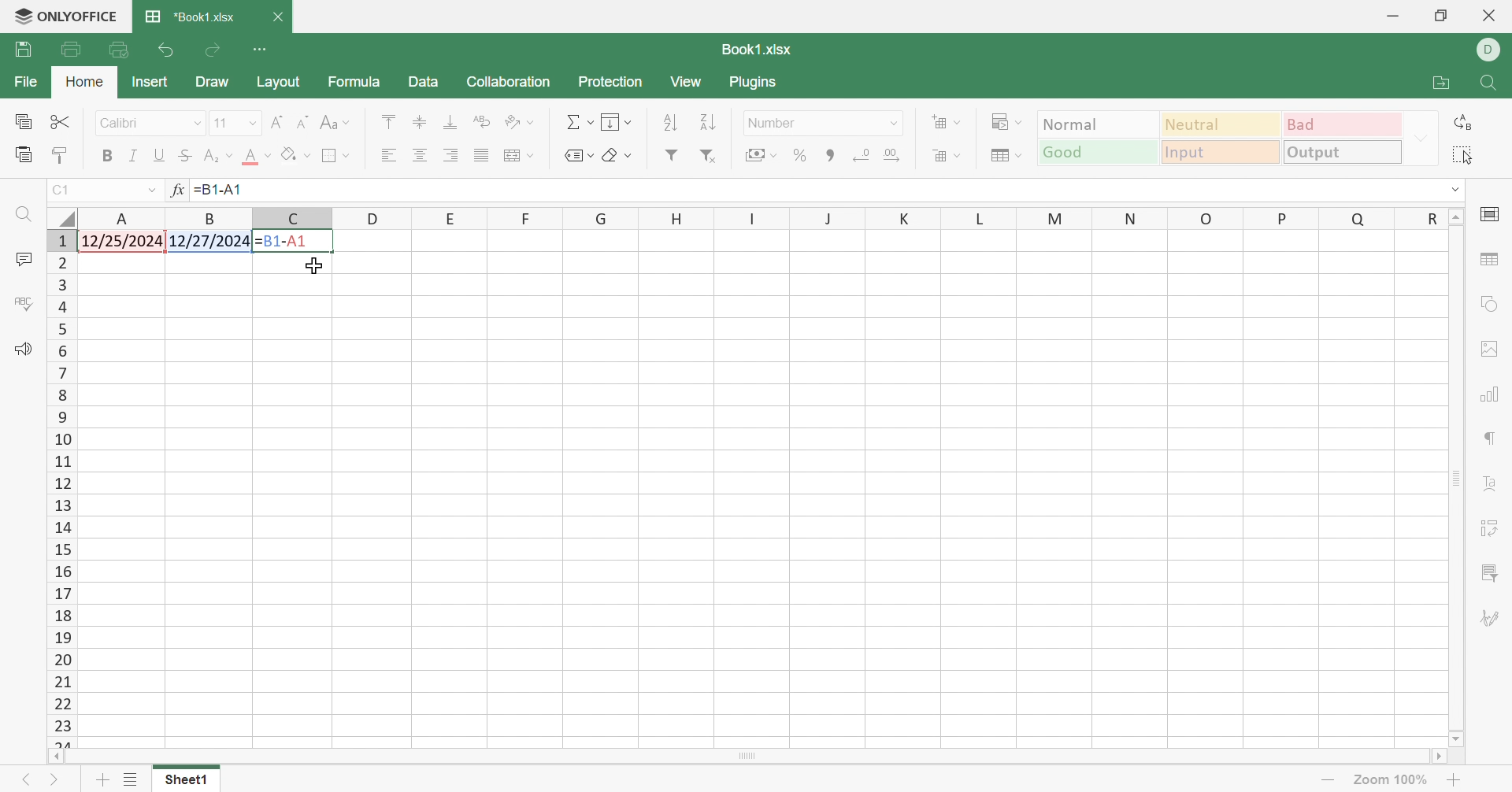  Describe the element at coordinates (772, 757) in the screenshot. I see `scroll bar` at that location.